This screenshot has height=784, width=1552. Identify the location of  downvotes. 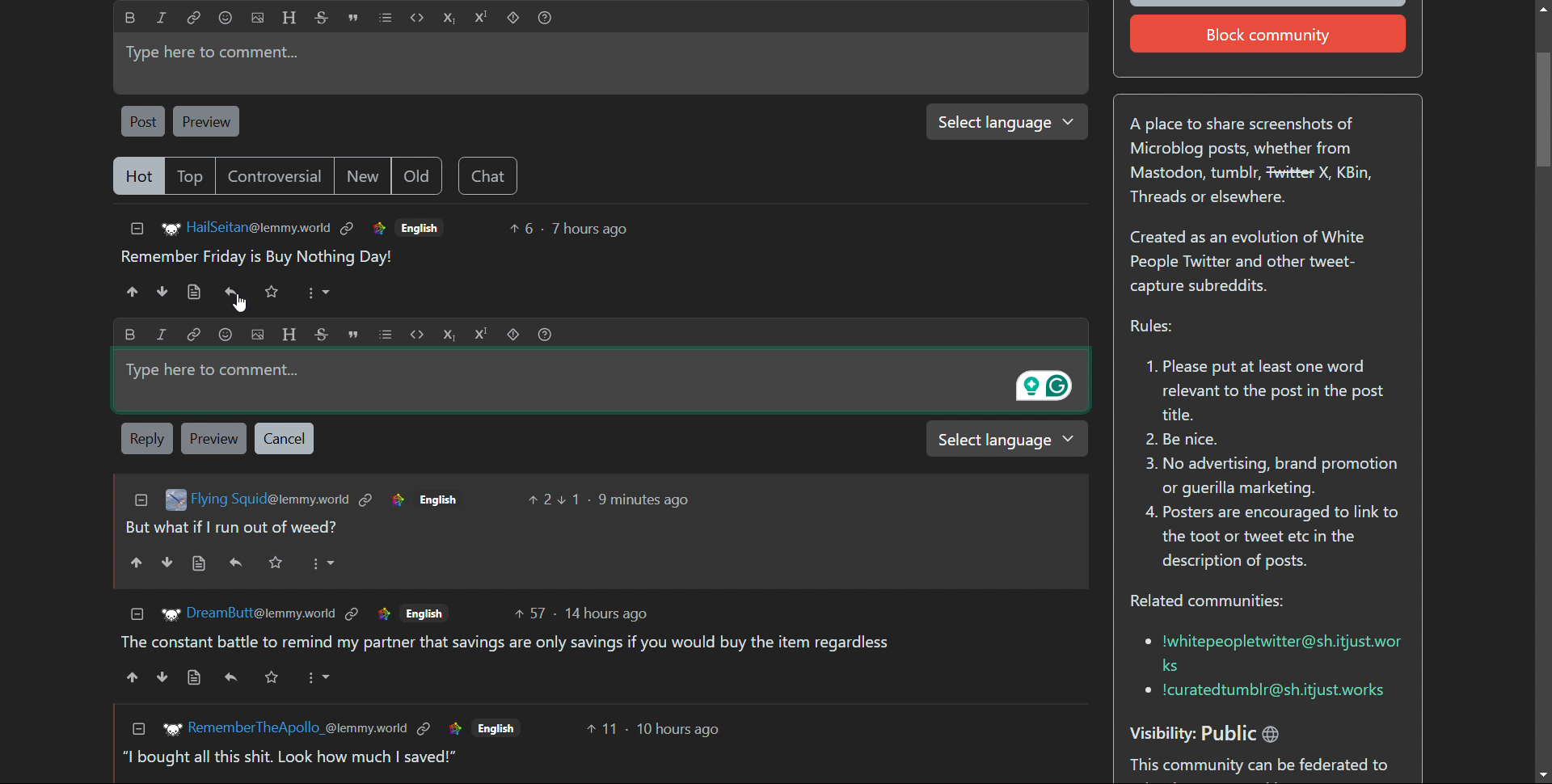
(164, 291).